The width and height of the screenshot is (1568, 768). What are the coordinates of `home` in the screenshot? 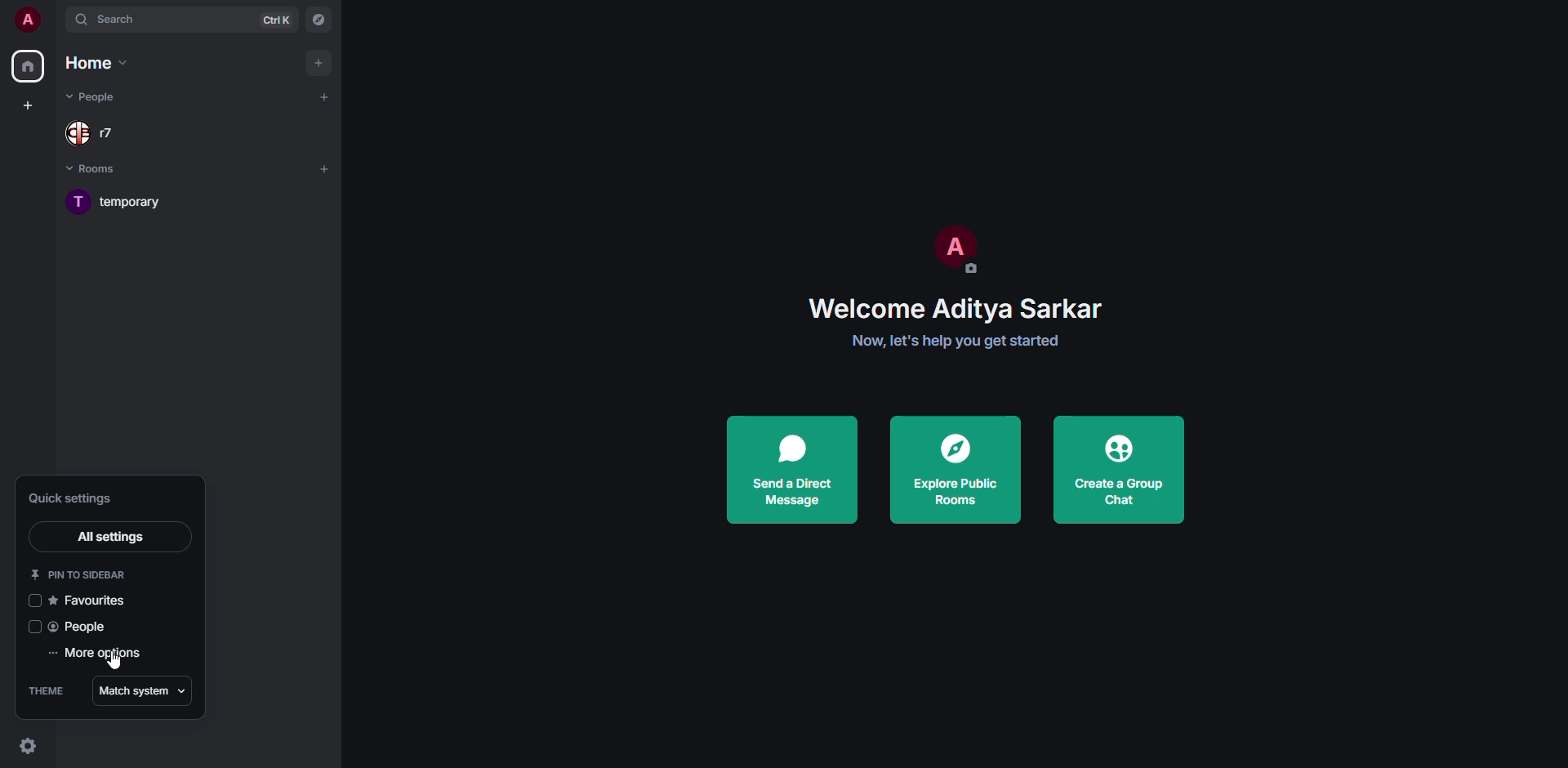 It's located at (31, 68).